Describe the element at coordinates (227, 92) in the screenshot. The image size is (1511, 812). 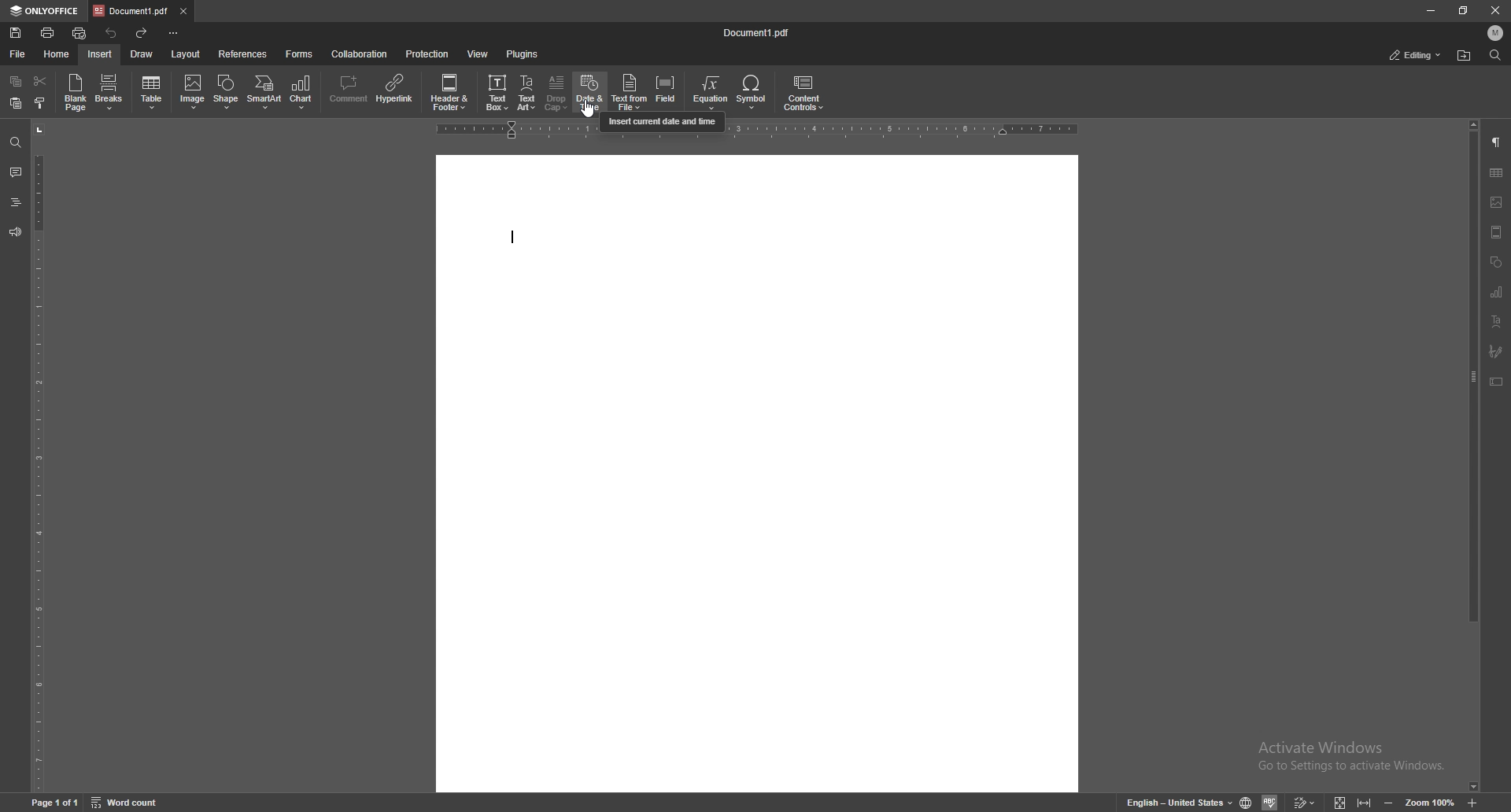
I see `shape` at that location.